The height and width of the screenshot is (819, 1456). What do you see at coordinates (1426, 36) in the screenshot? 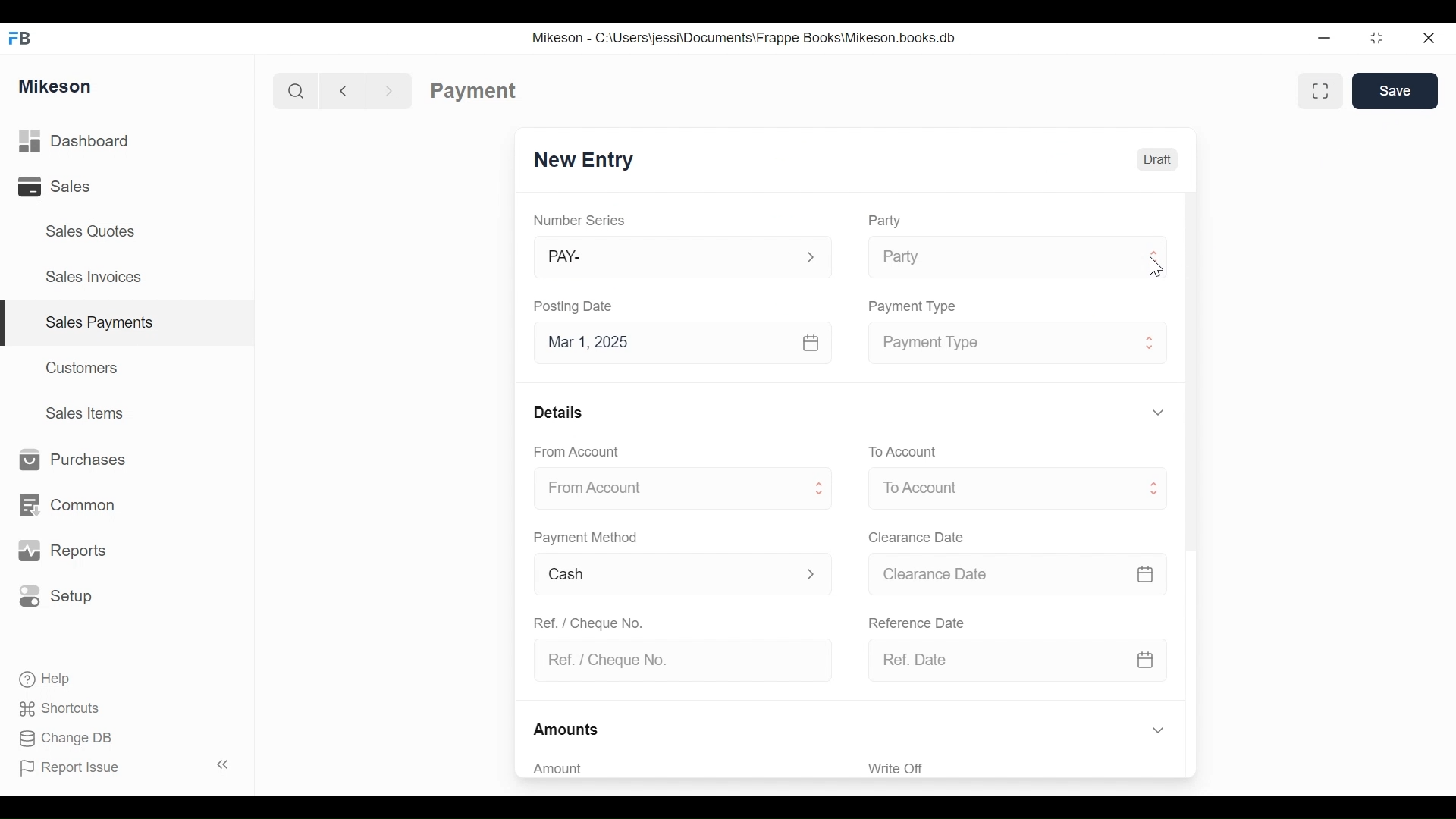
I see `Close` at bounding box center [1426, 36].